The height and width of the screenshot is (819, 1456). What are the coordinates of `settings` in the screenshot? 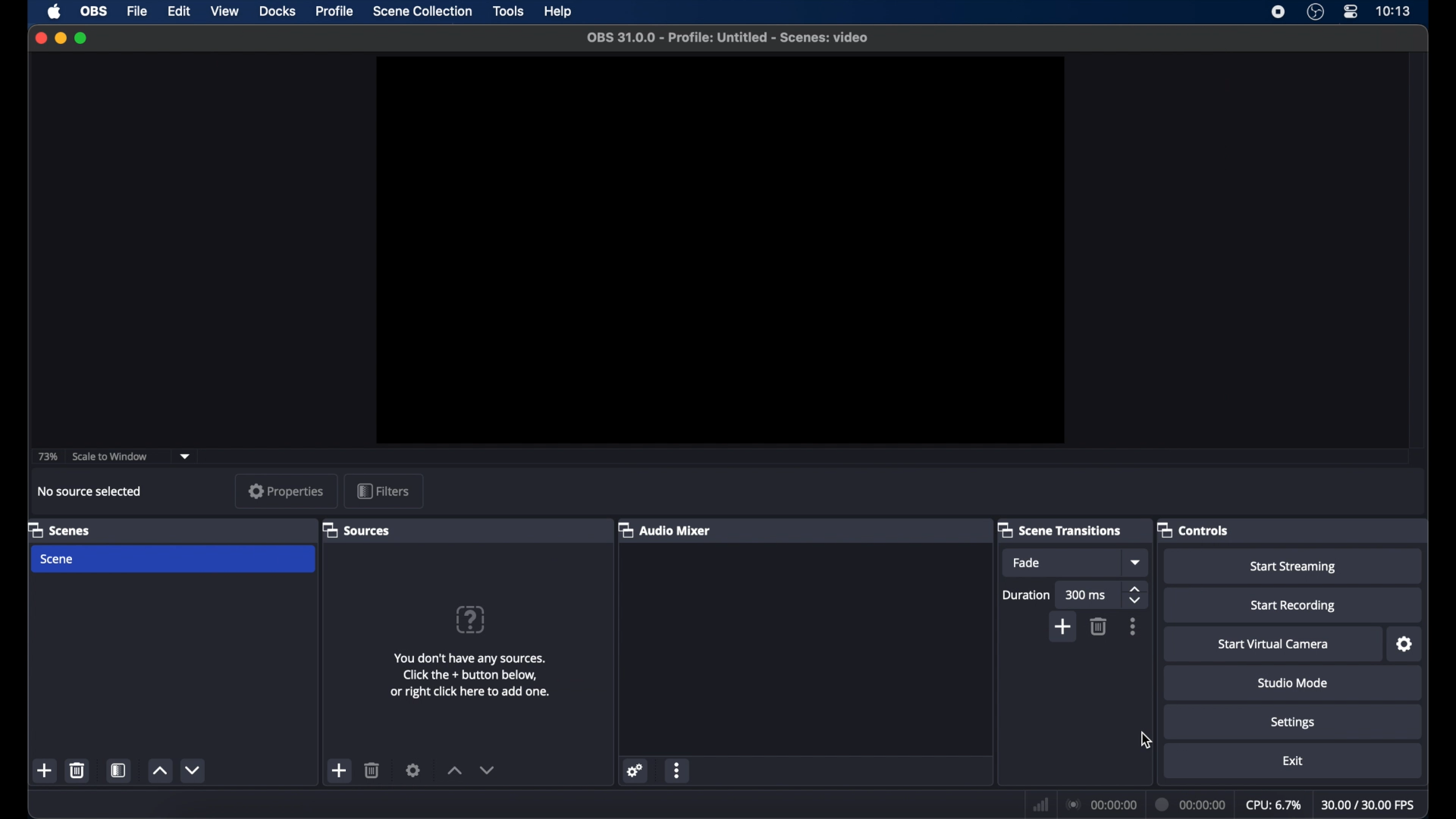 It's located at (413, 769).